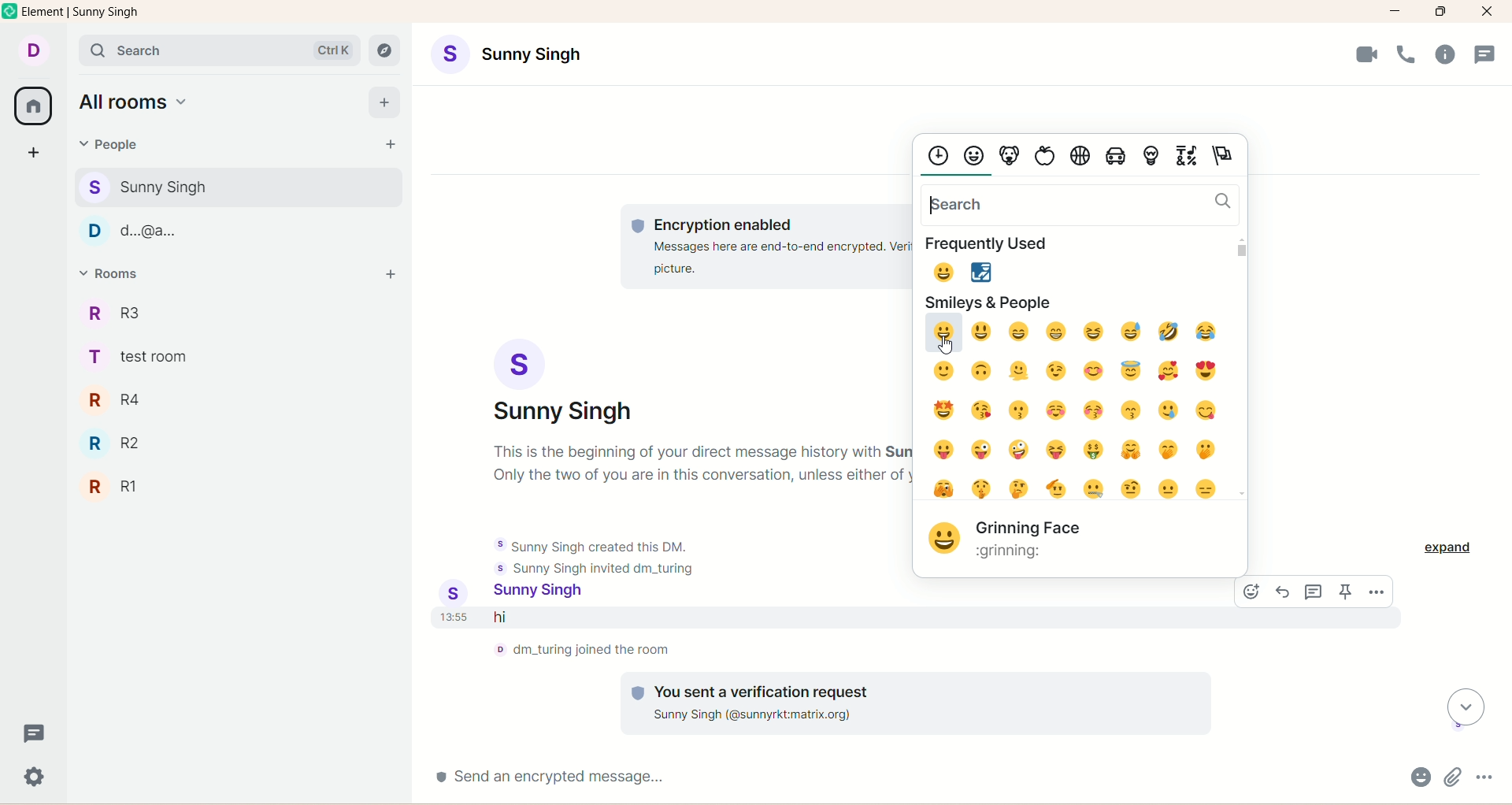 The image size is (1512, 805). I want to click on expand, so click(1448, 548).